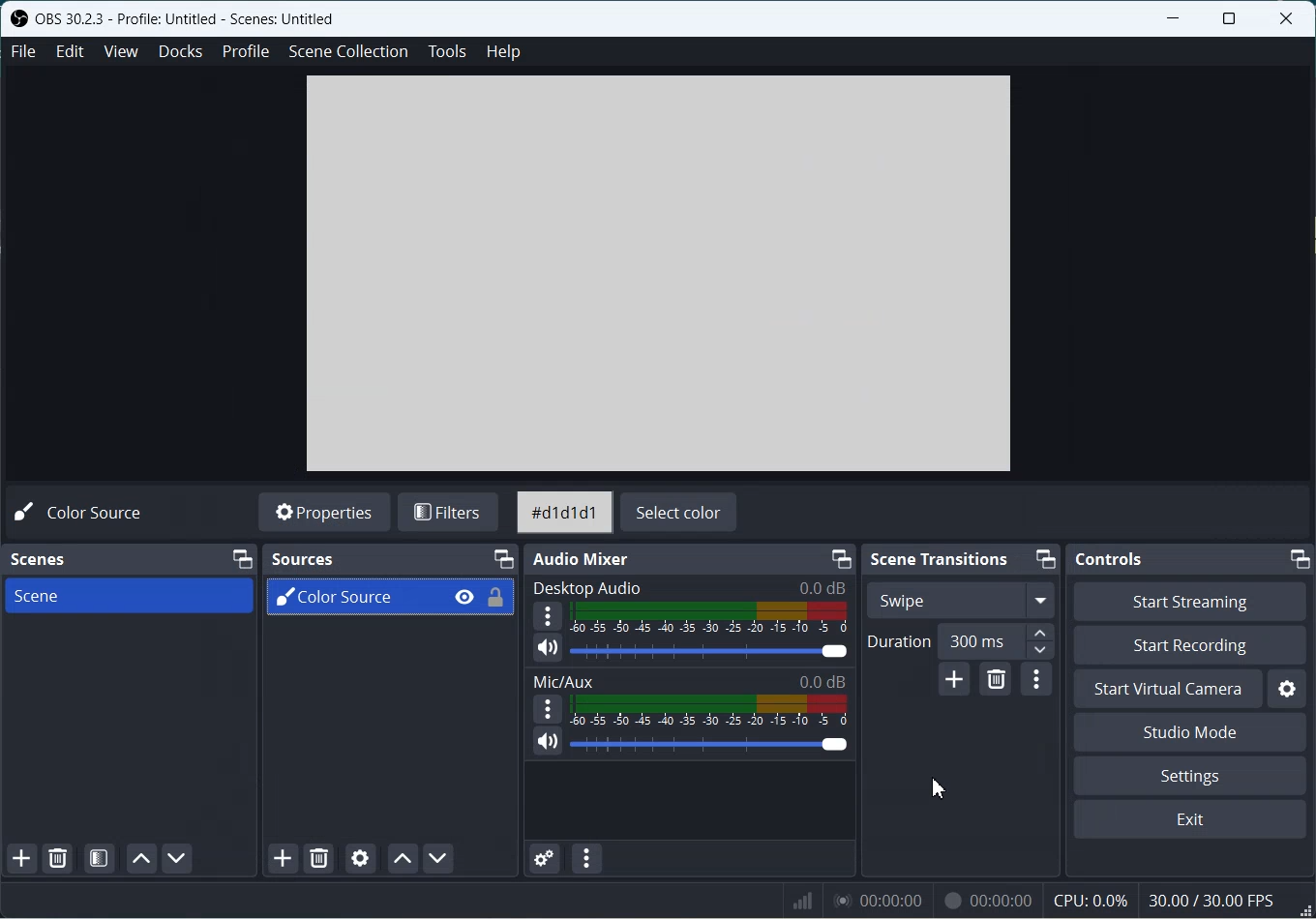 Image resolution: width=1316 pixels, height=919 pixels. I want to click on Add Scene, so click(21, 858).